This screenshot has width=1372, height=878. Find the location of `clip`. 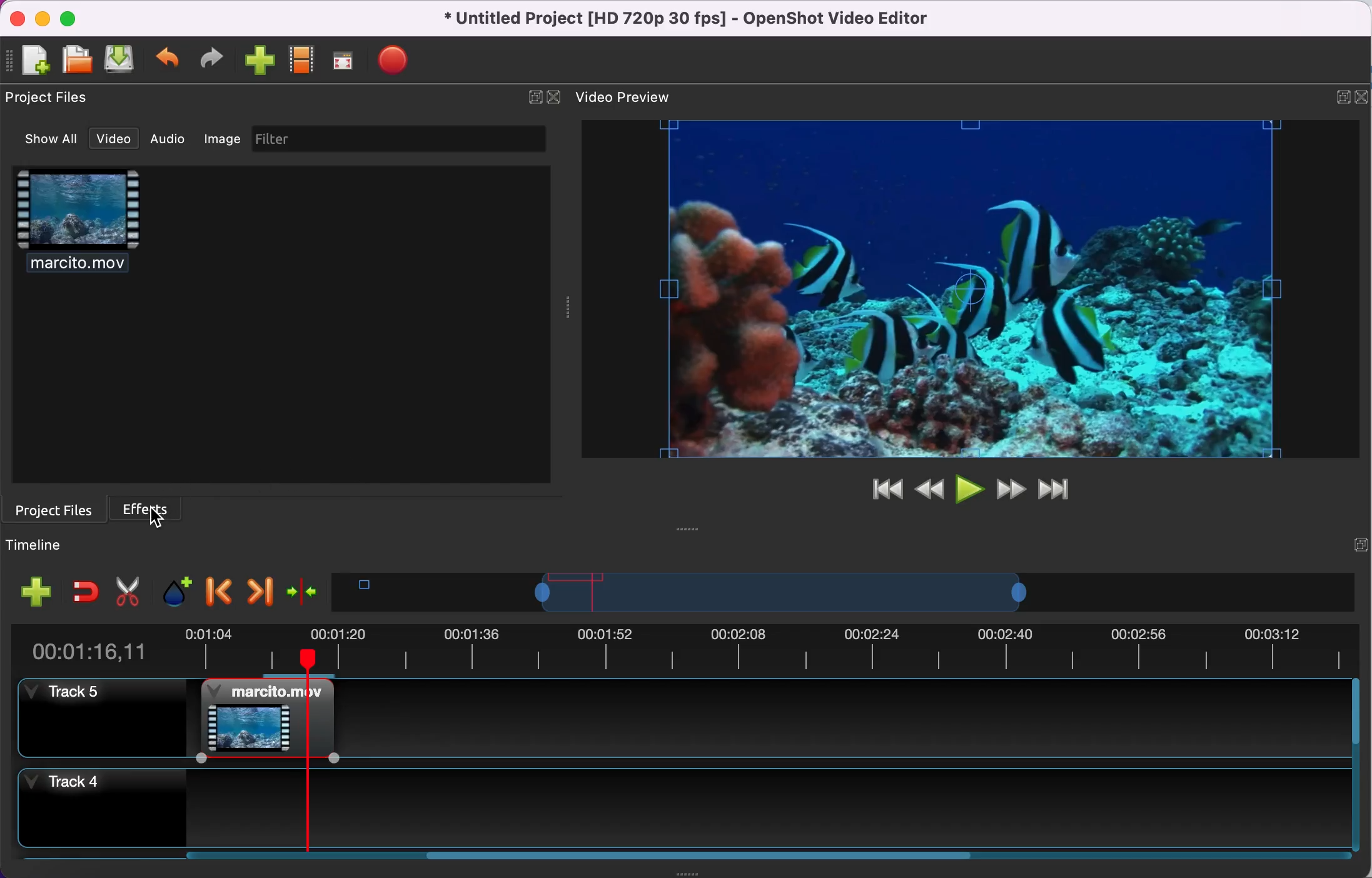

clip is located at coordinates (77, 226).